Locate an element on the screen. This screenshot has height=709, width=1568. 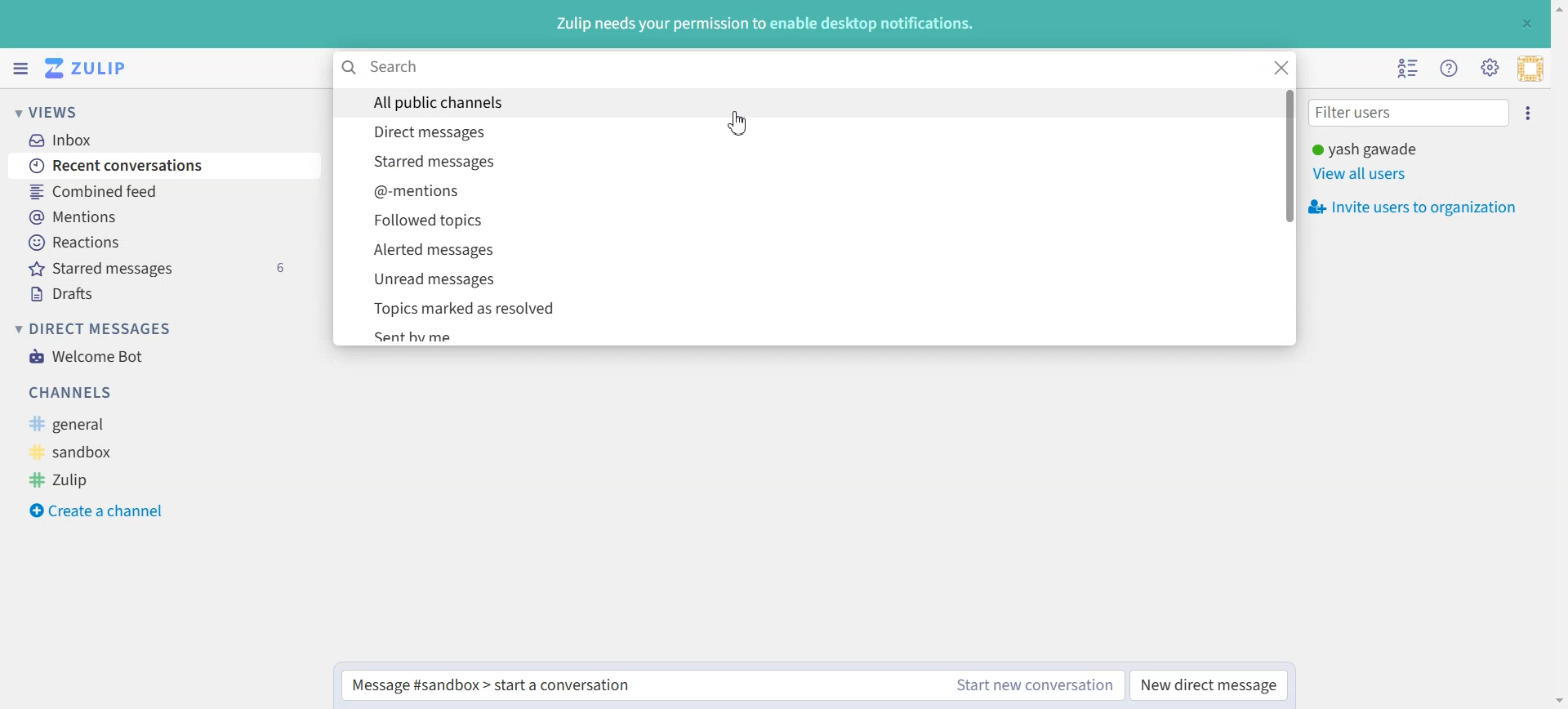
Direct Messages is located at coordinates (93, 328).